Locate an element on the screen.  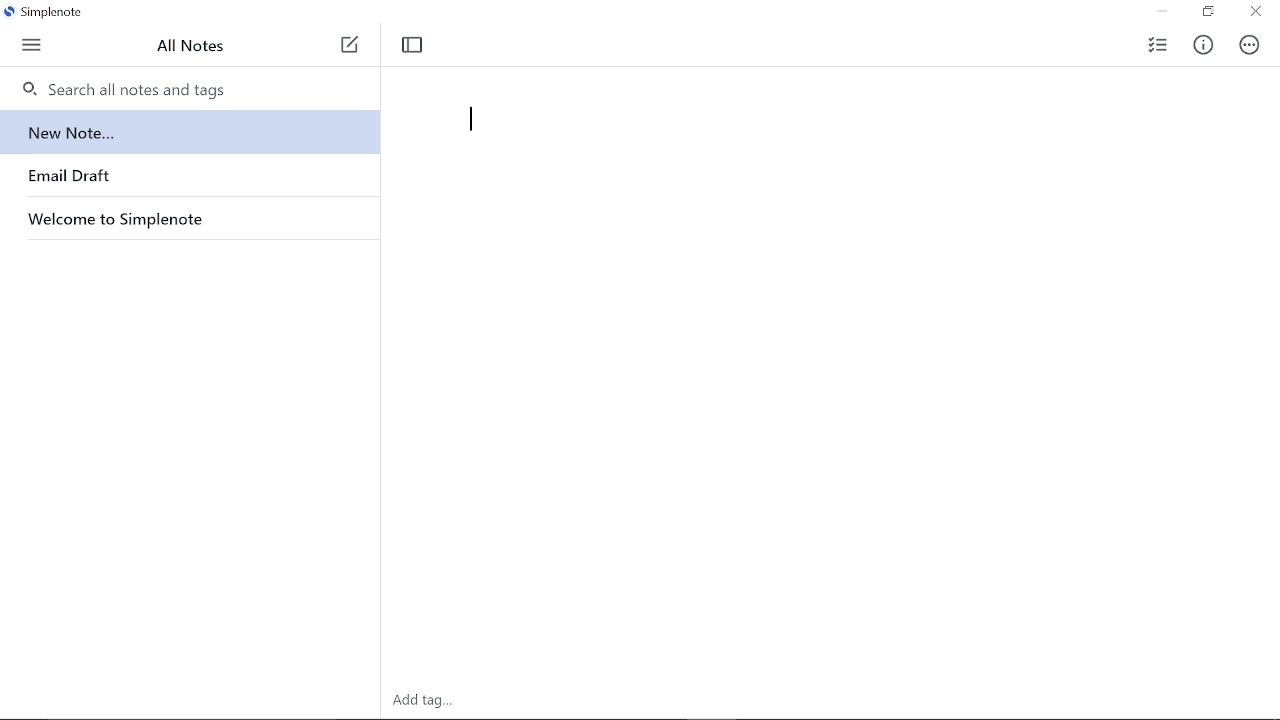
New Note.. is located at coordinates (71, 133).